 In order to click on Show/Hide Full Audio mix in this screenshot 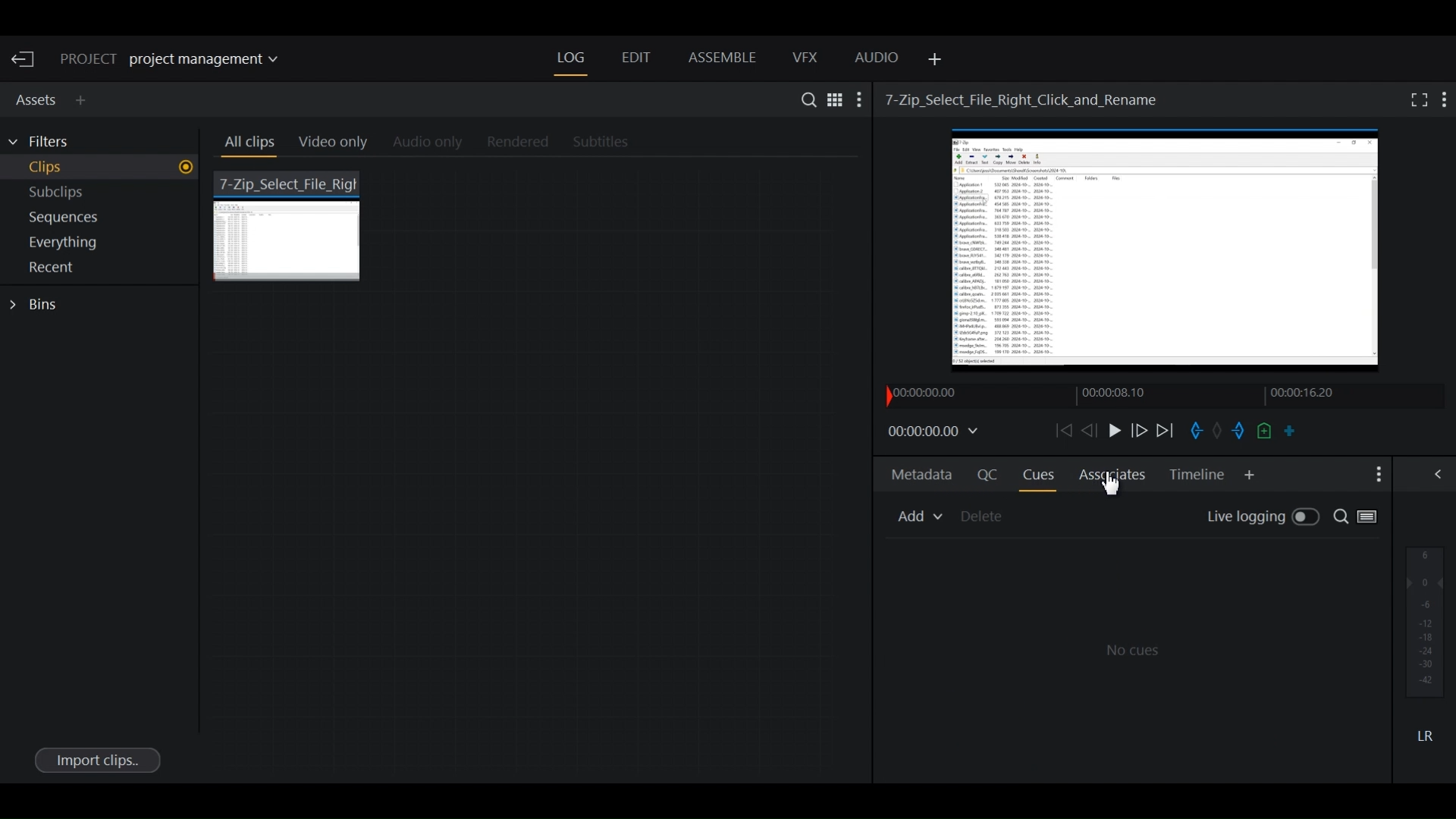, I will do `click(1441, 473)`.